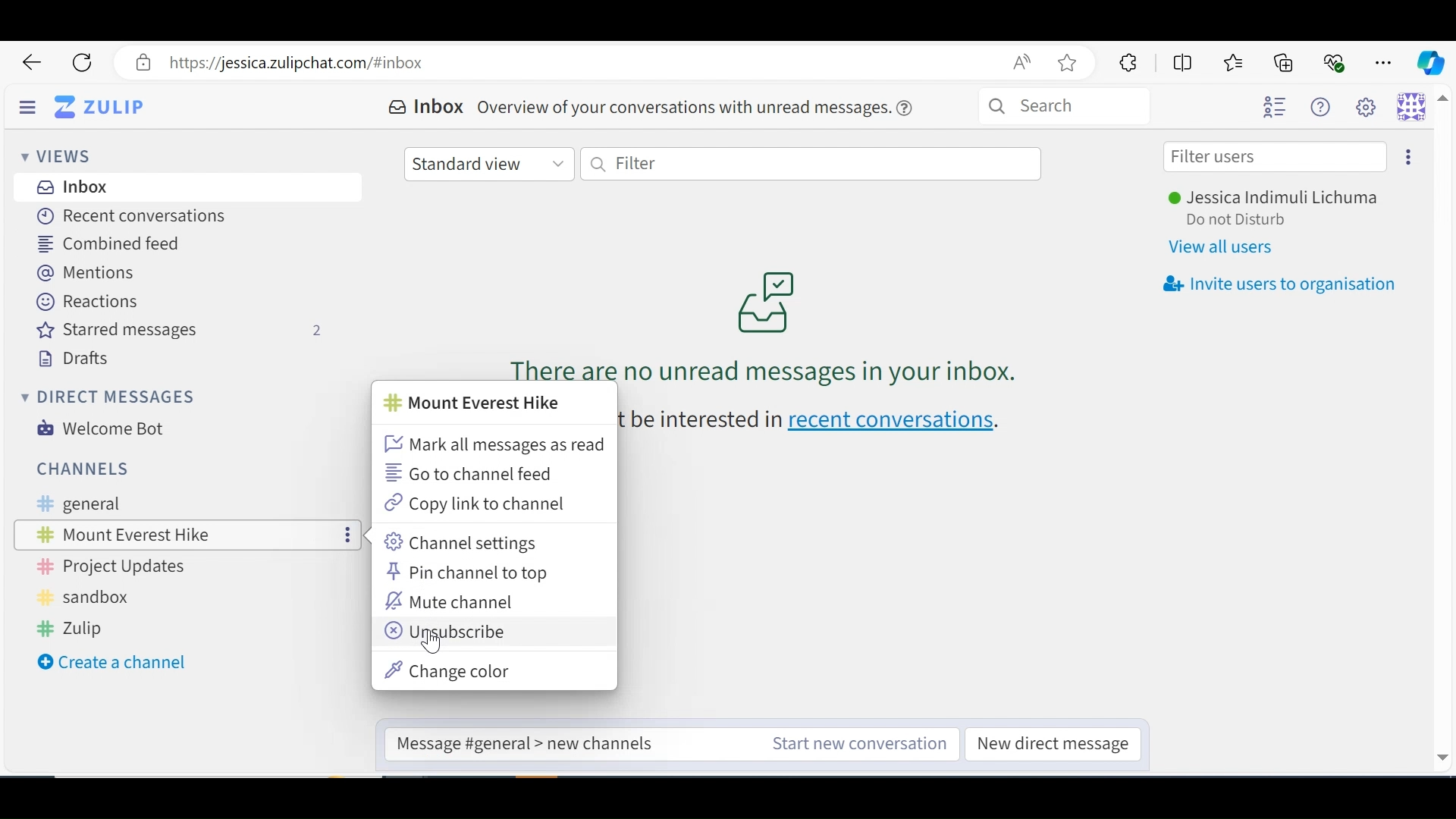  I want to click on Reply to message, so click(529, 742).